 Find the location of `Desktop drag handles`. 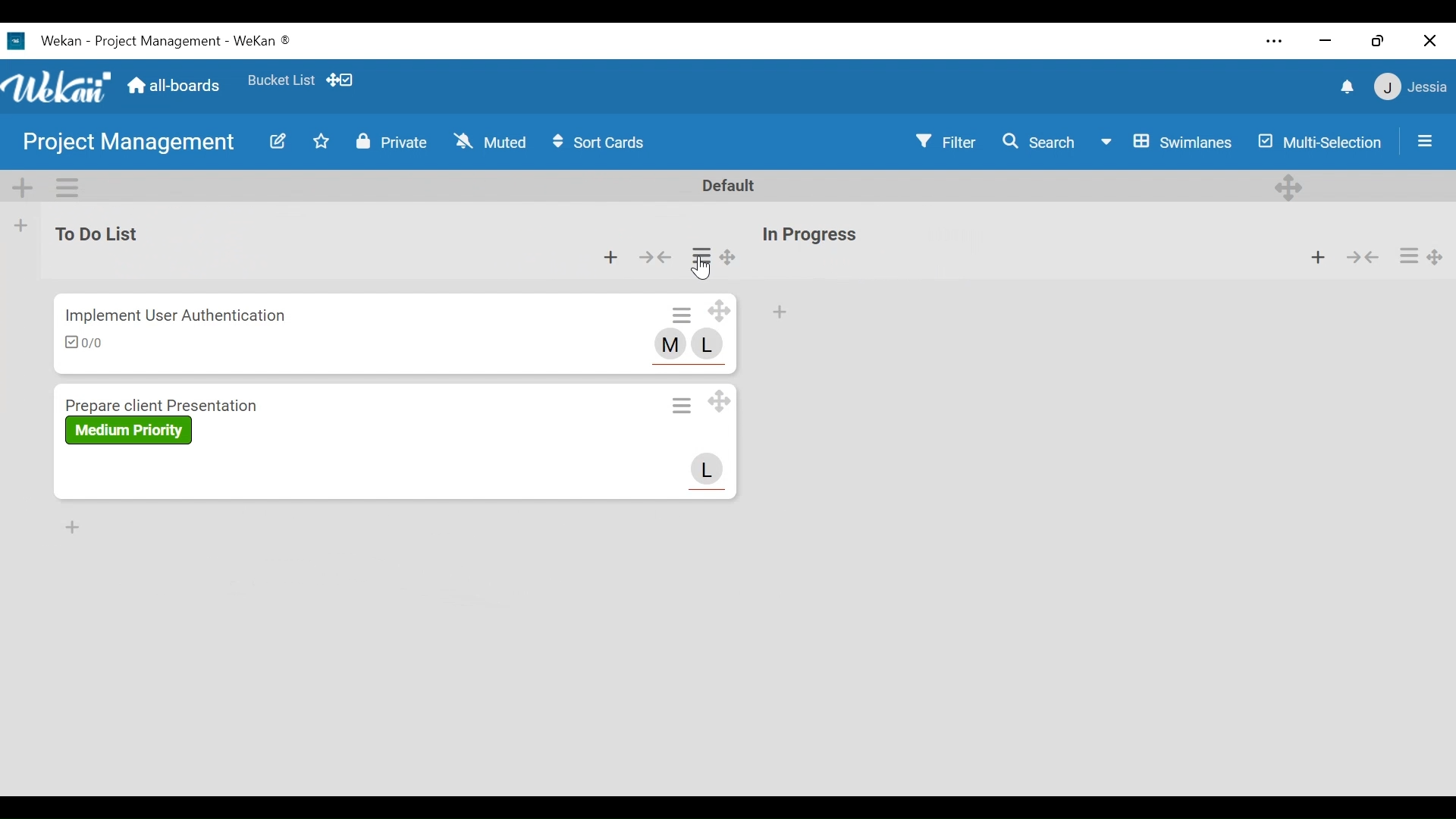

Desktop drag handles is located at coordinates (1289, 186).